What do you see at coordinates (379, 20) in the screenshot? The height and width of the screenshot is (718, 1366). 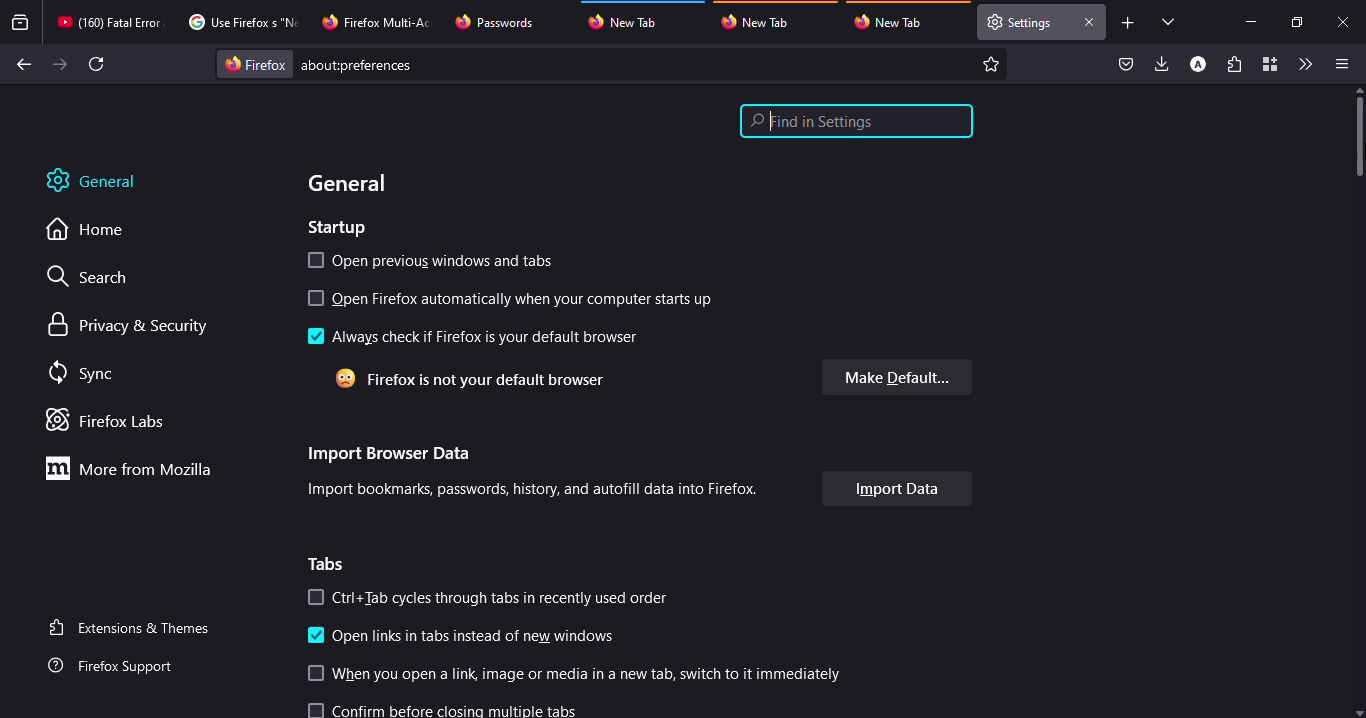 I see `tab` at bounding box center [379, 20].